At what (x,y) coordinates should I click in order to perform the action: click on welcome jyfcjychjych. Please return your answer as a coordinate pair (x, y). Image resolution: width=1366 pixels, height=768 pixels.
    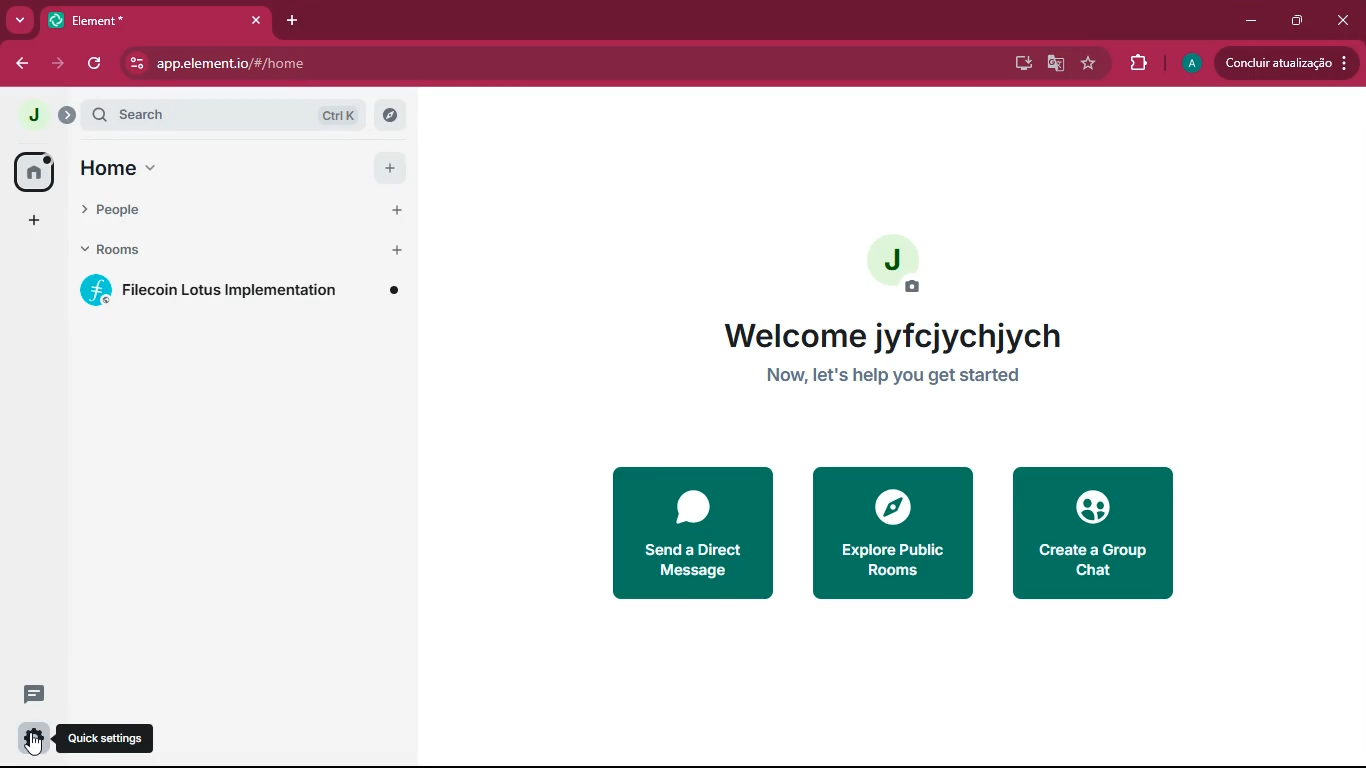
    Looking at the image, I should click on (911, 337).